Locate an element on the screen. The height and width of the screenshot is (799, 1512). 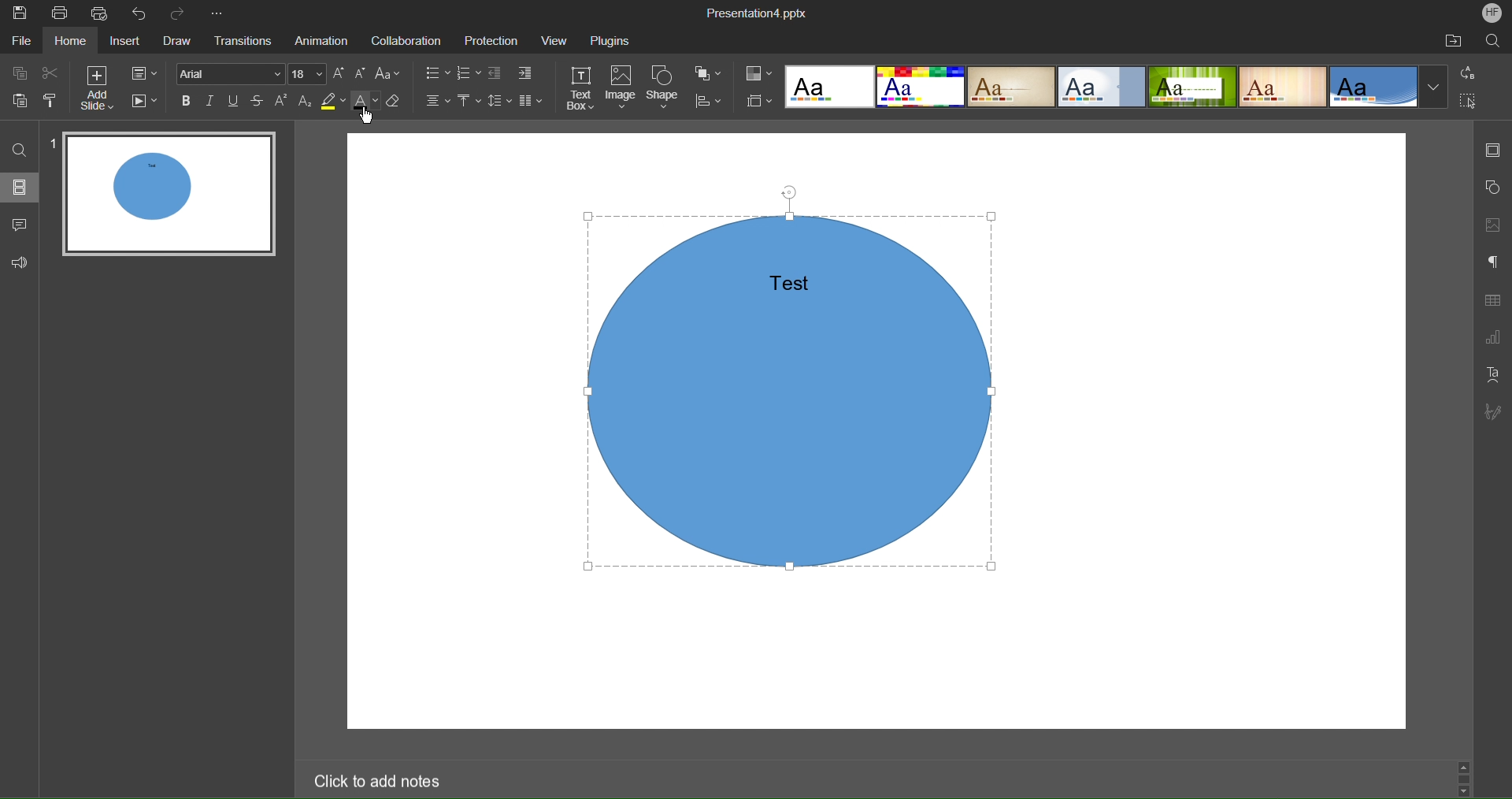
Indents is located at coordinates (516, 74).